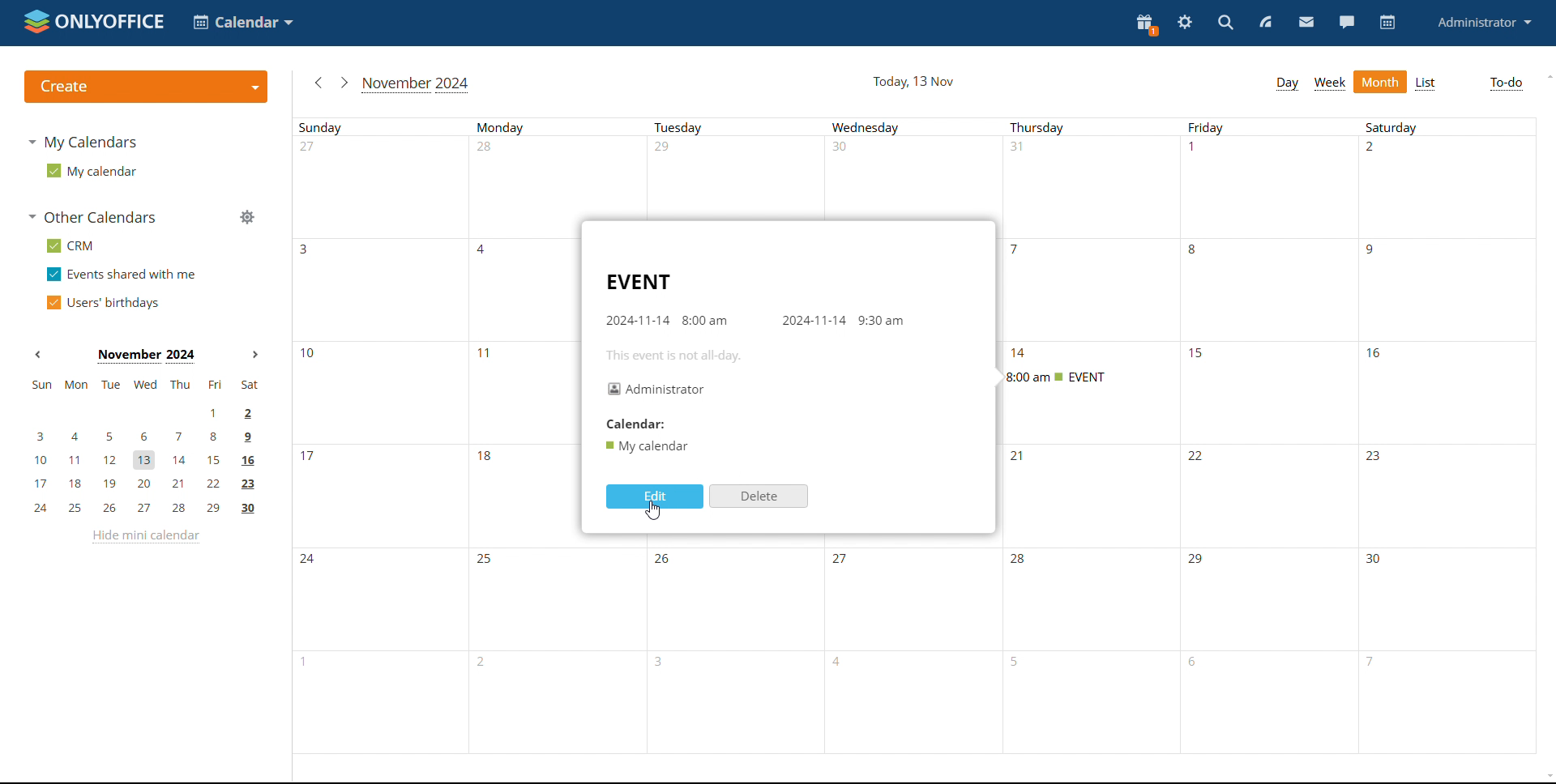 This screenshot has width=1556, height=784. What do you see at coordinates (653, 511) in the screenshot?
I see `cursor` at bounding box center [653, 511].